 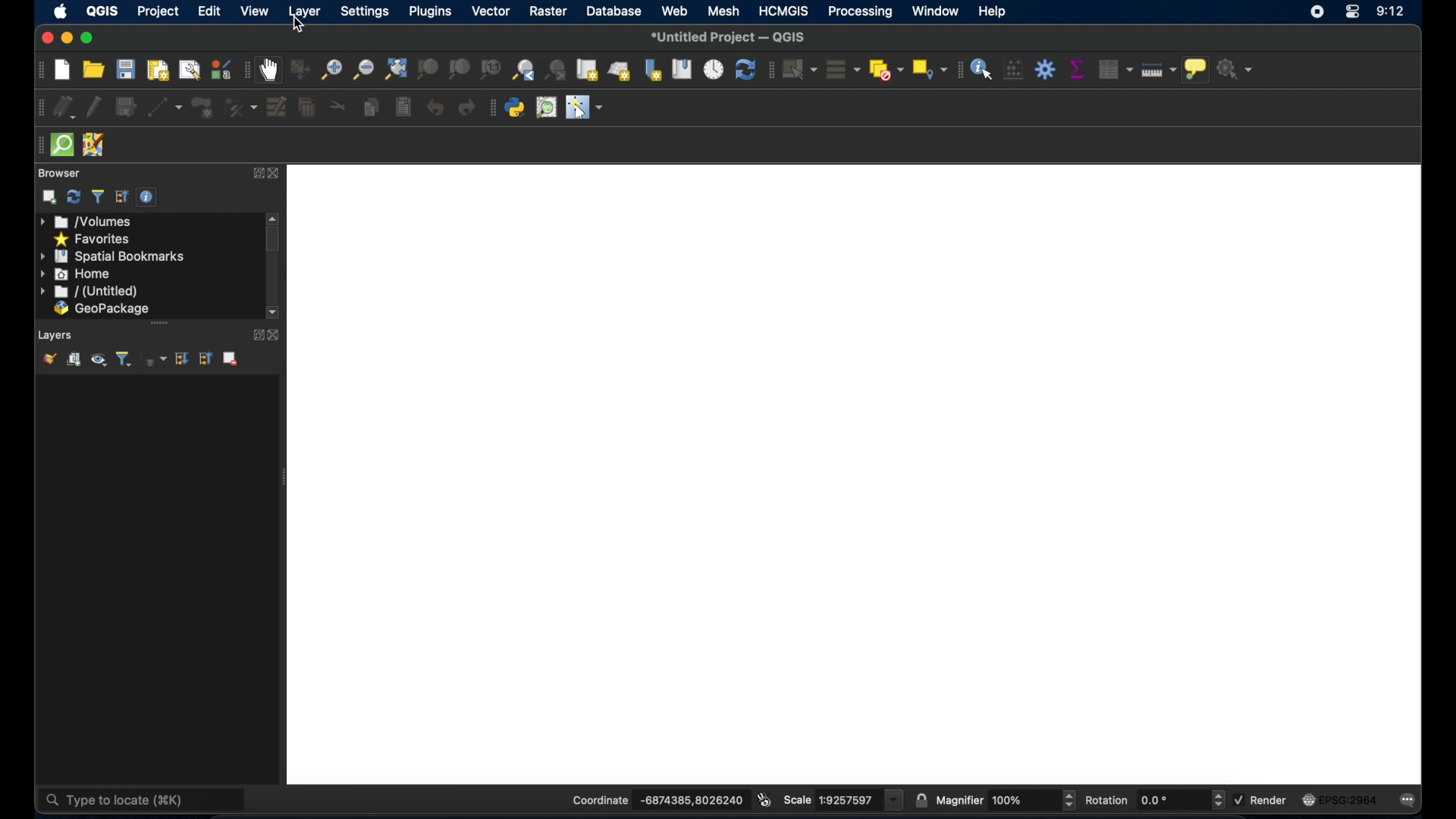 What do you see at coordinates (886, 67) in the screenshot?
I see `deselect features` at bounding box center [886, 67].